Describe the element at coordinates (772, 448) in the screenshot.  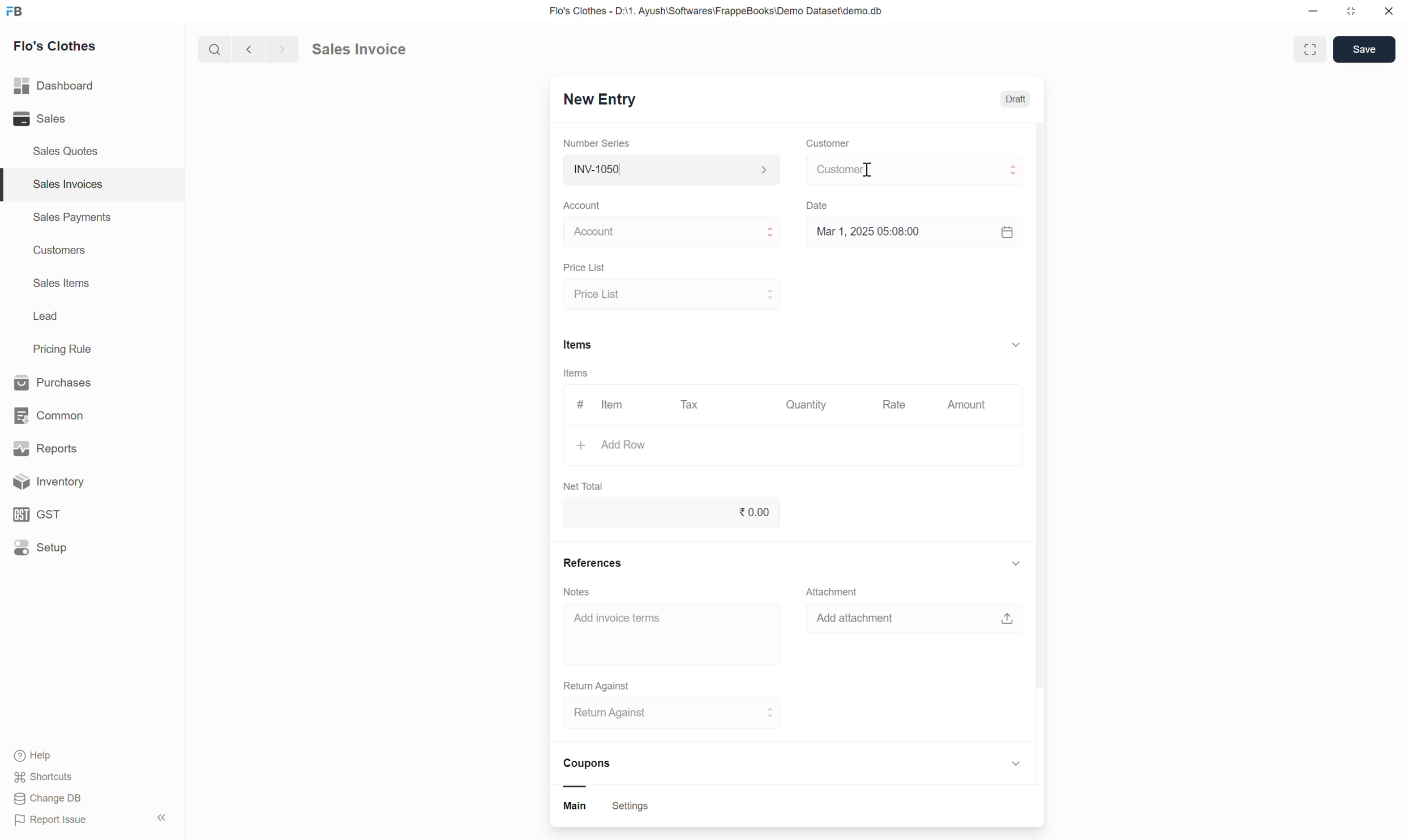
I see `Add row` at that location.